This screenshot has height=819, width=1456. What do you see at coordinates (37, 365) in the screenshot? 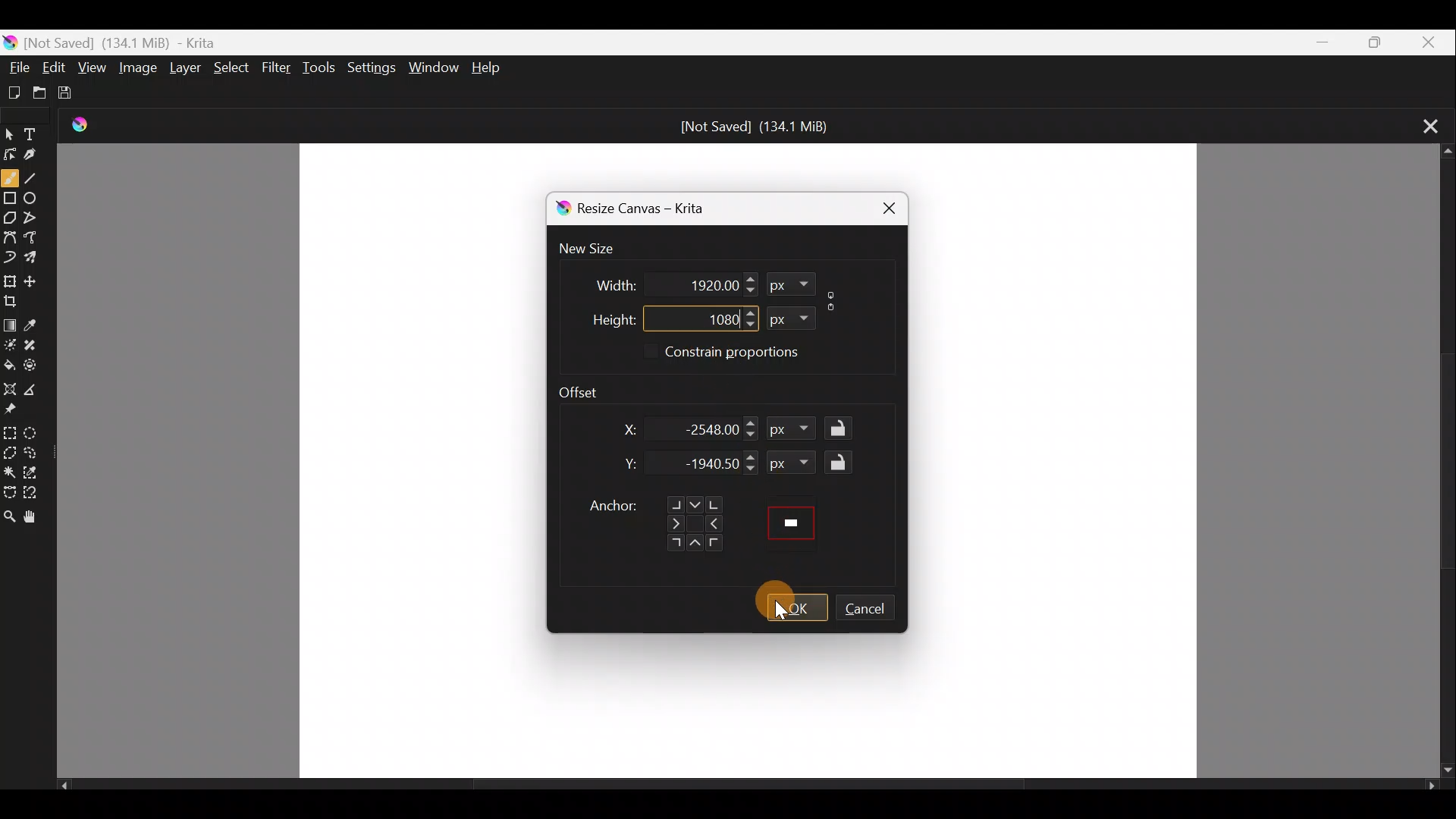
I see `Enclose & fill tool` at bounding box center [37, 365].